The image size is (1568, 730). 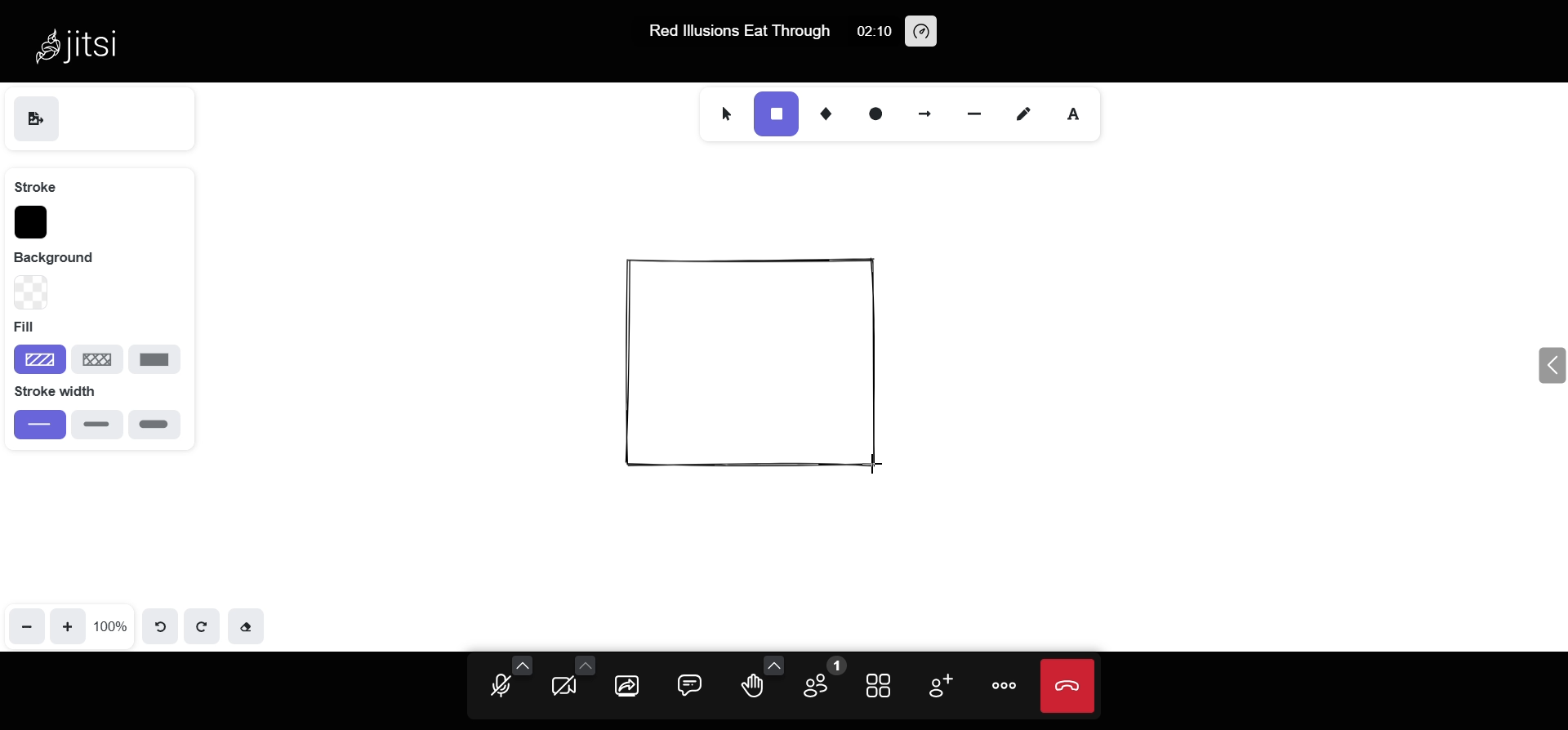 I want to click on bold, so click(x=97, y=424).